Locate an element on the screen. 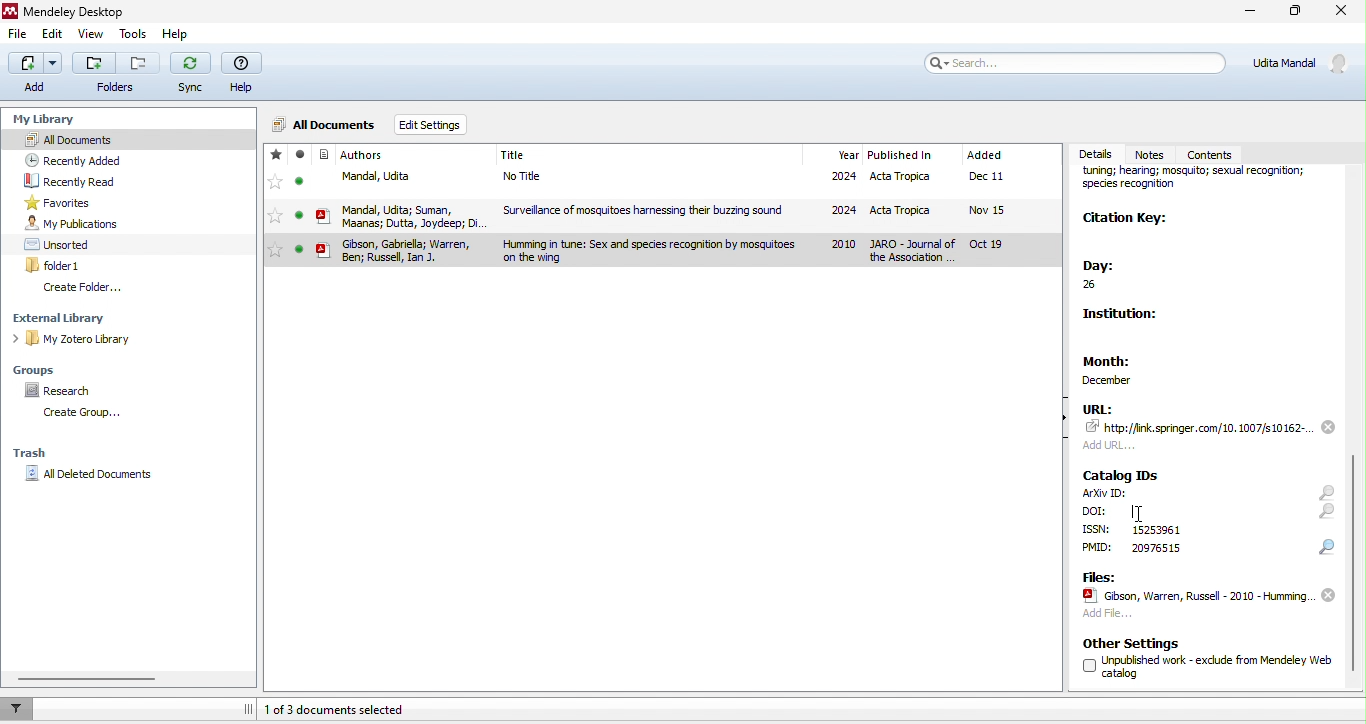 Image resolution: width=1366 pixels, height=724 pixels. url is located at coordinates (1098, 408).